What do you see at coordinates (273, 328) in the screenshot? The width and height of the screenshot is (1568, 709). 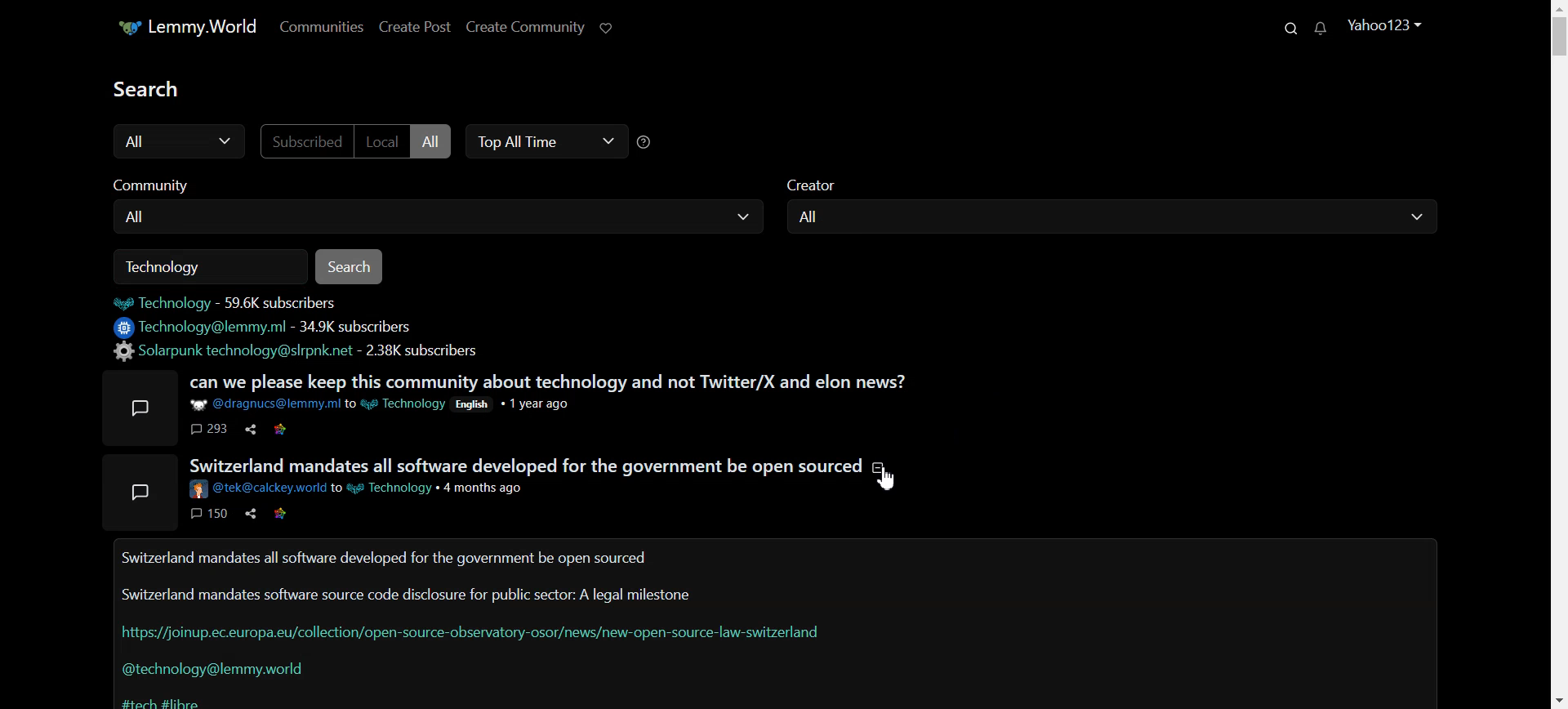 I see ` Technology@lemmy.ml - 34.9K subscribers` at bounding box center [273, 328].